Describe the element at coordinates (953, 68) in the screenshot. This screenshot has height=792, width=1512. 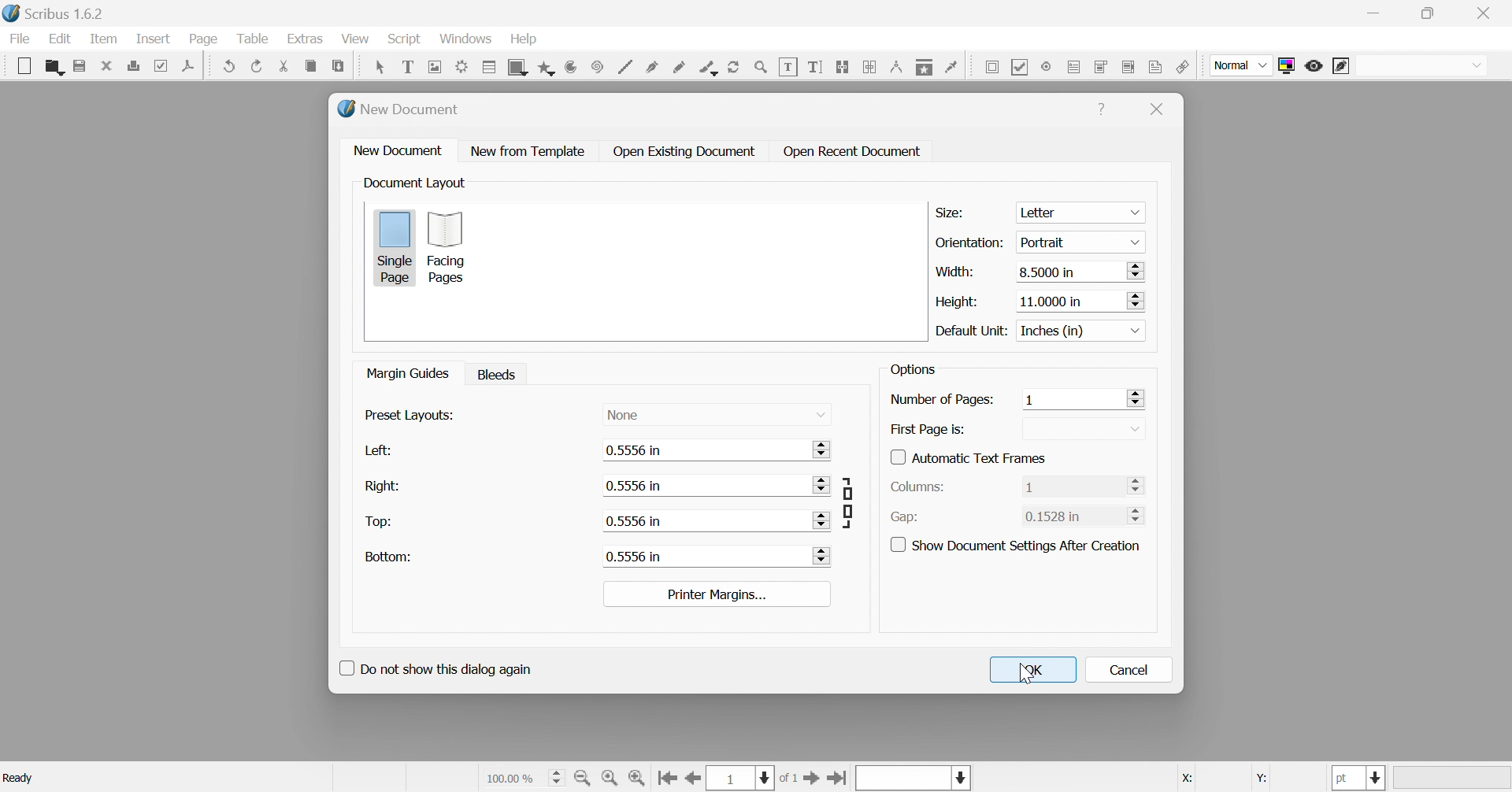
I see `eye dropper` at that location.